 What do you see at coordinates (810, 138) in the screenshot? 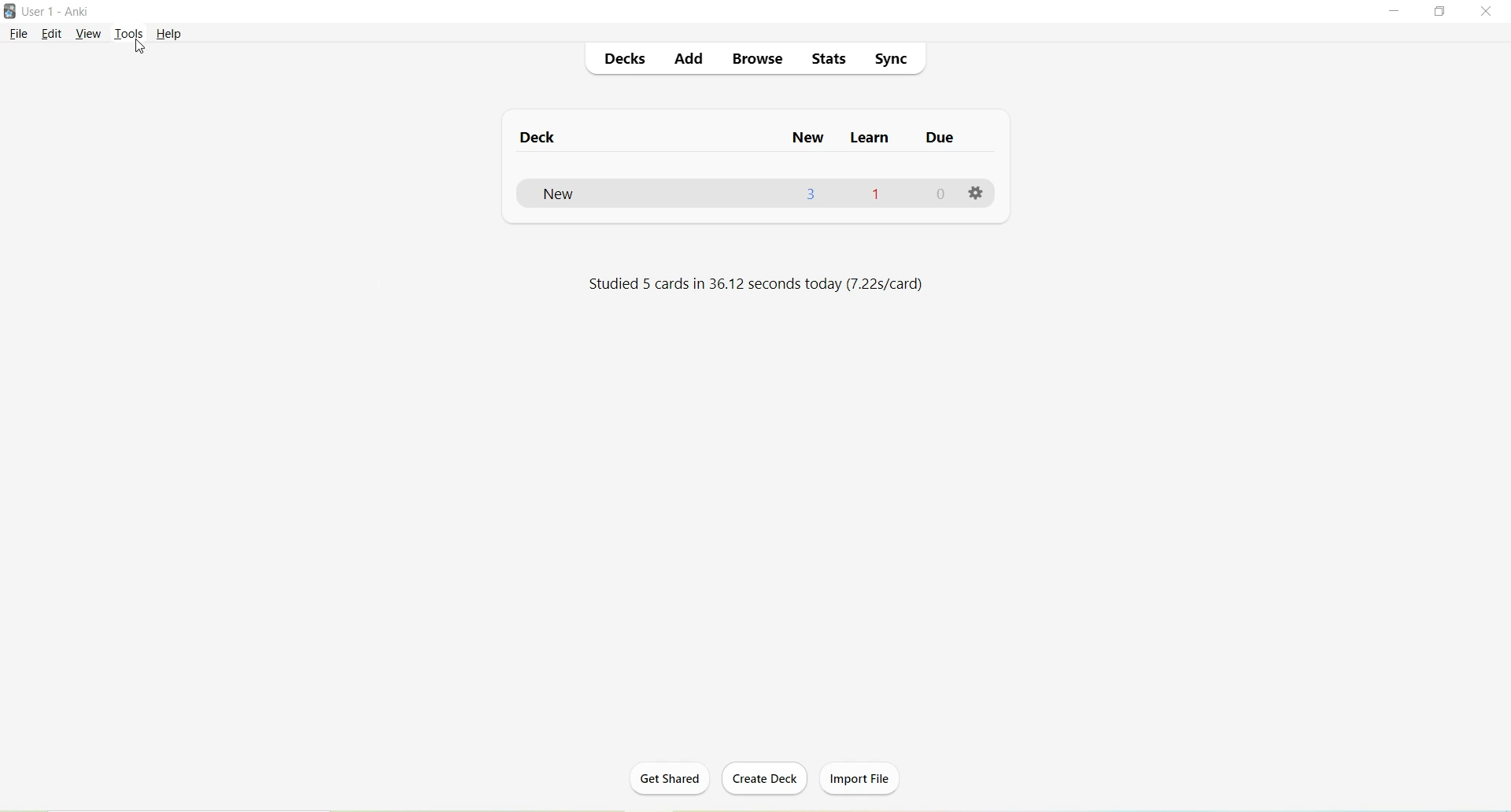
I see `New` at bounding box center [810, 138].